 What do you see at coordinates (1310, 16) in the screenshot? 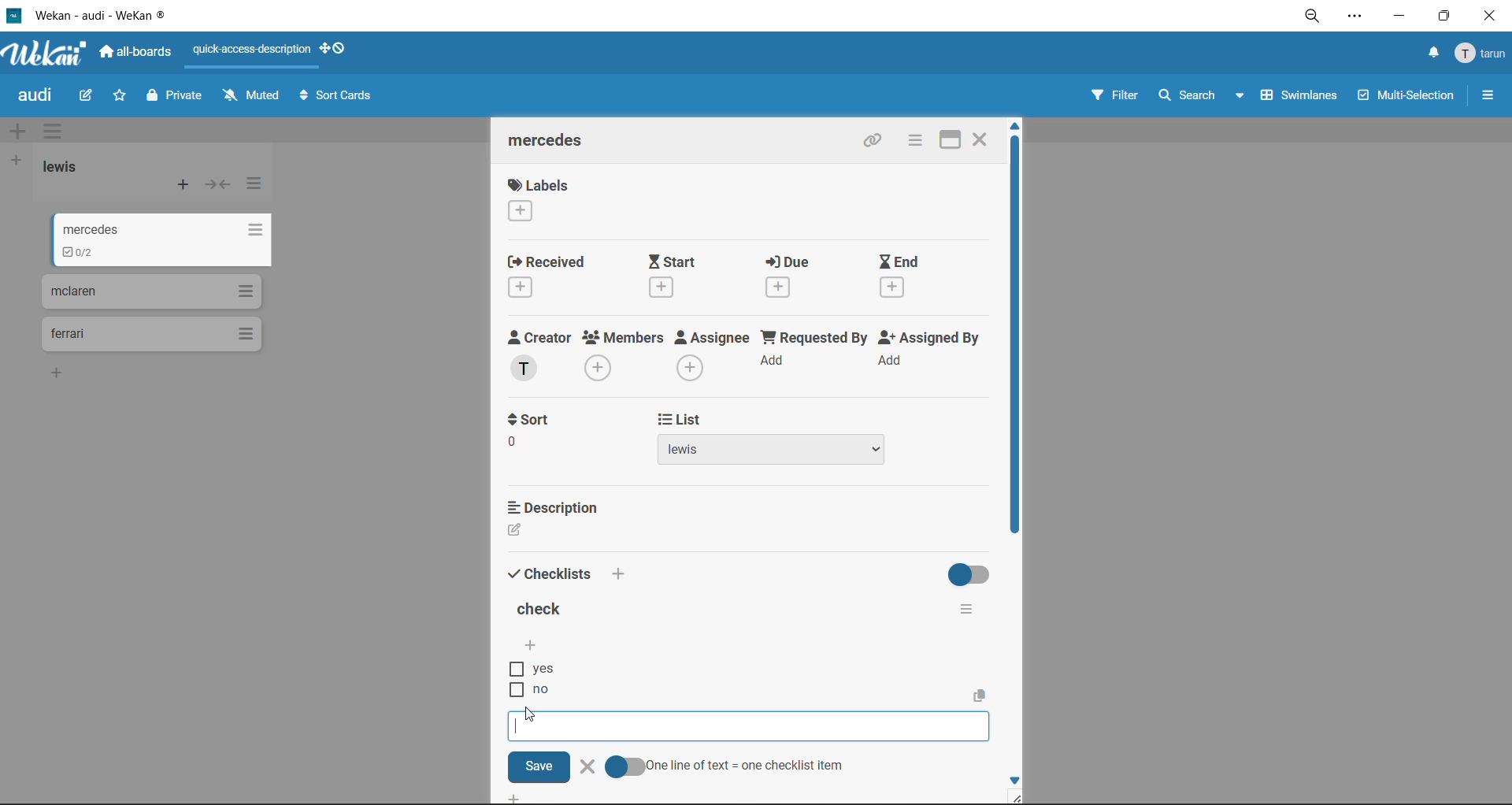
I see `zoom` at bounding box center [1310, 16].